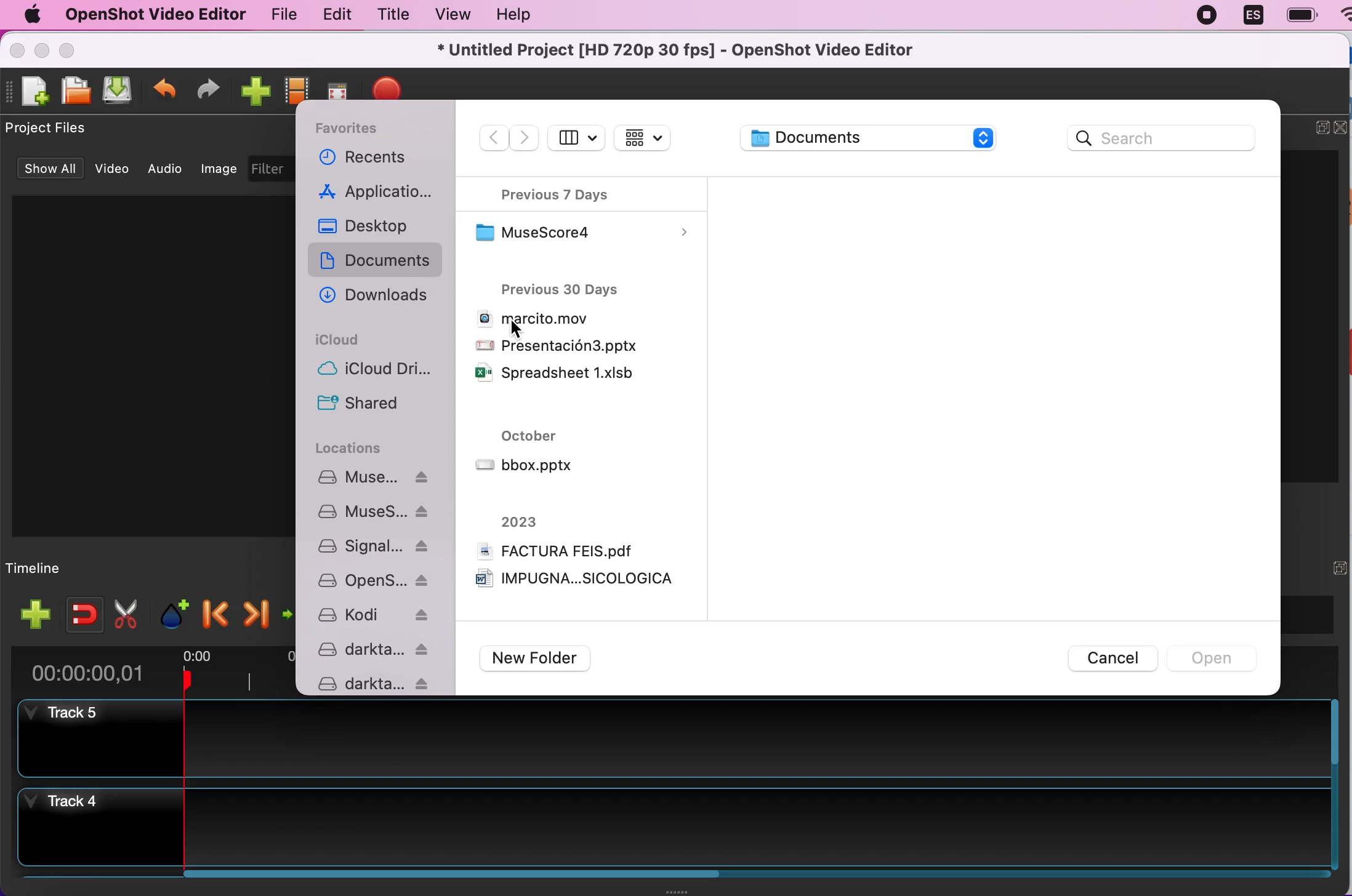 This screenshot has width=1352, height=896. What do you see at coordinates (494, 138) in the screenshot?
I see `back` at bounding box center [494, 138].